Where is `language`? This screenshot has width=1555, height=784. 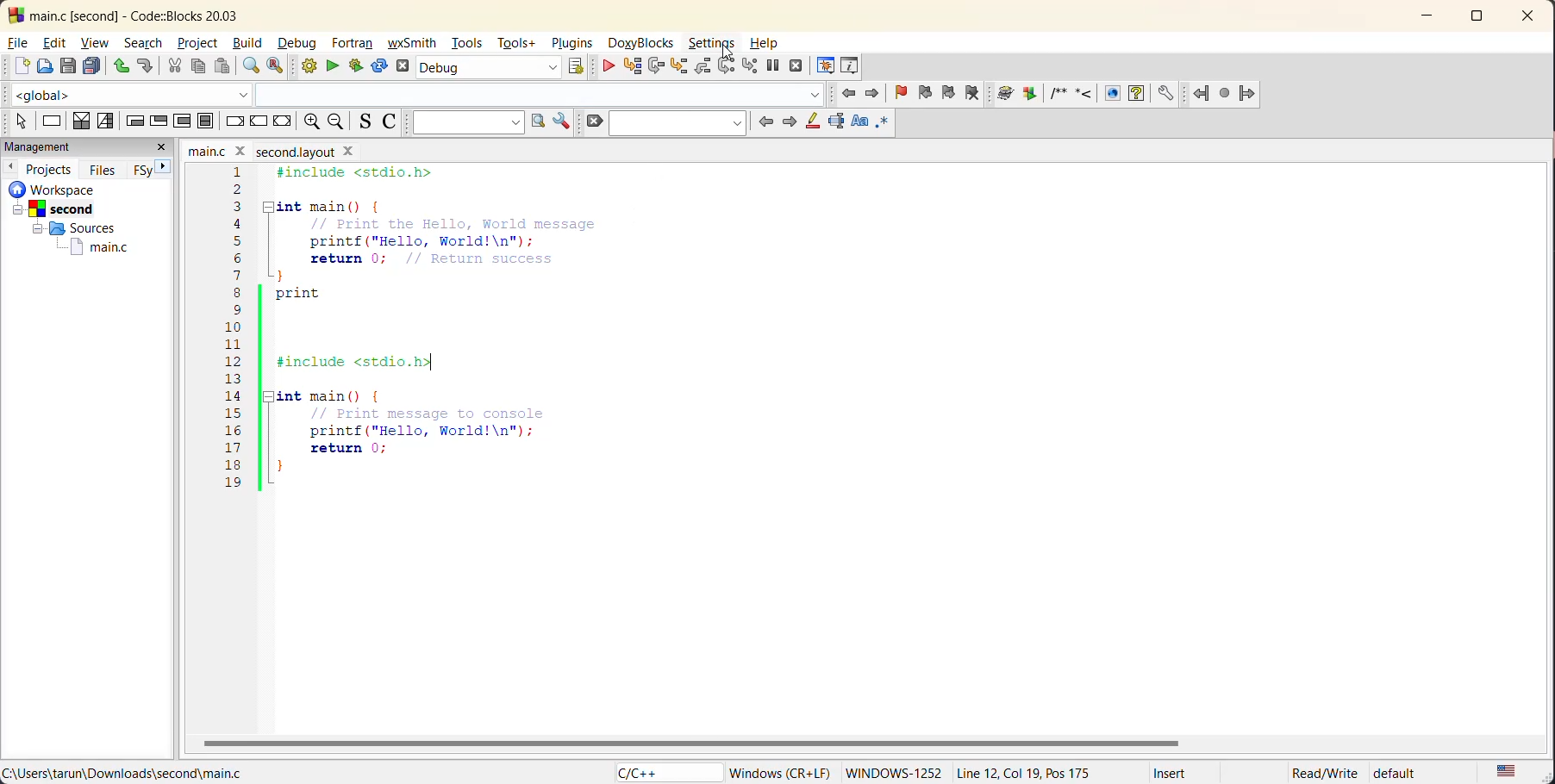 language is located at coordinates (659, 771).